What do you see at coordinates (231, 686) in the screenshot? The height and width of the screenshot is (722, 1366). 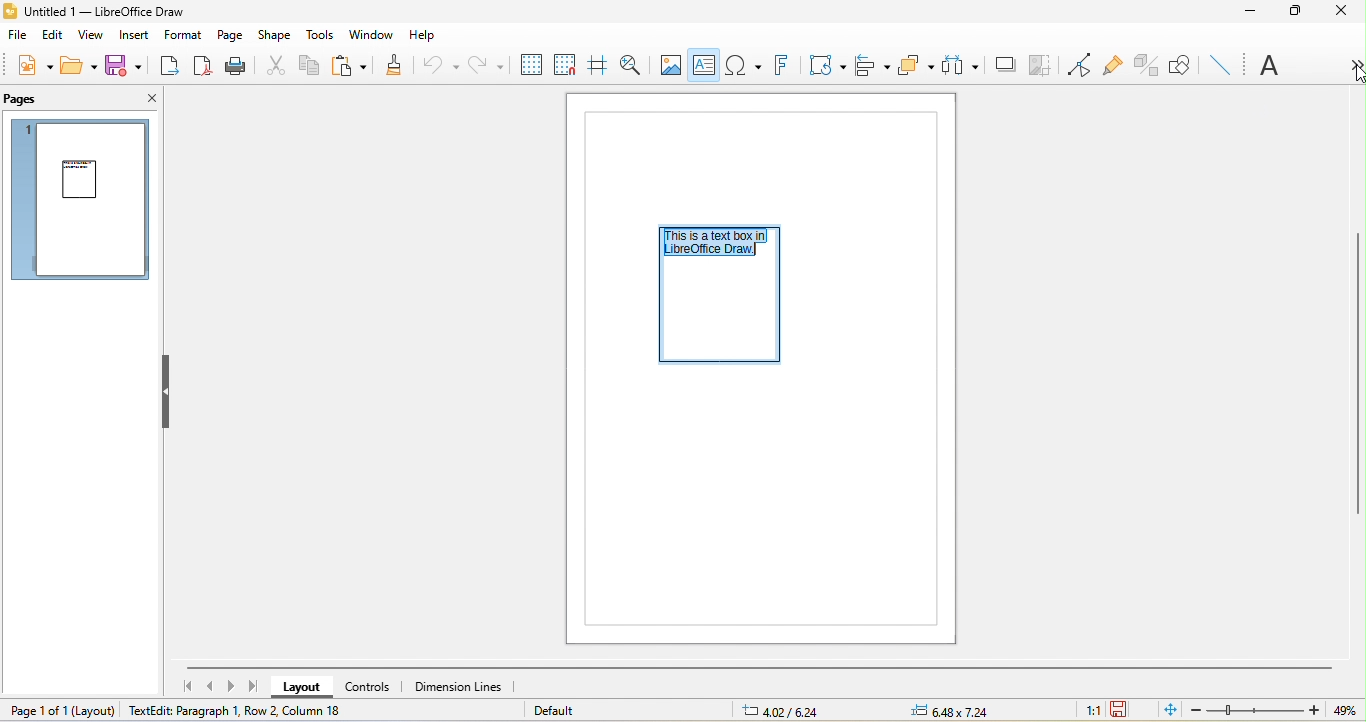 I see `next page` at bounding box center [231, 686].